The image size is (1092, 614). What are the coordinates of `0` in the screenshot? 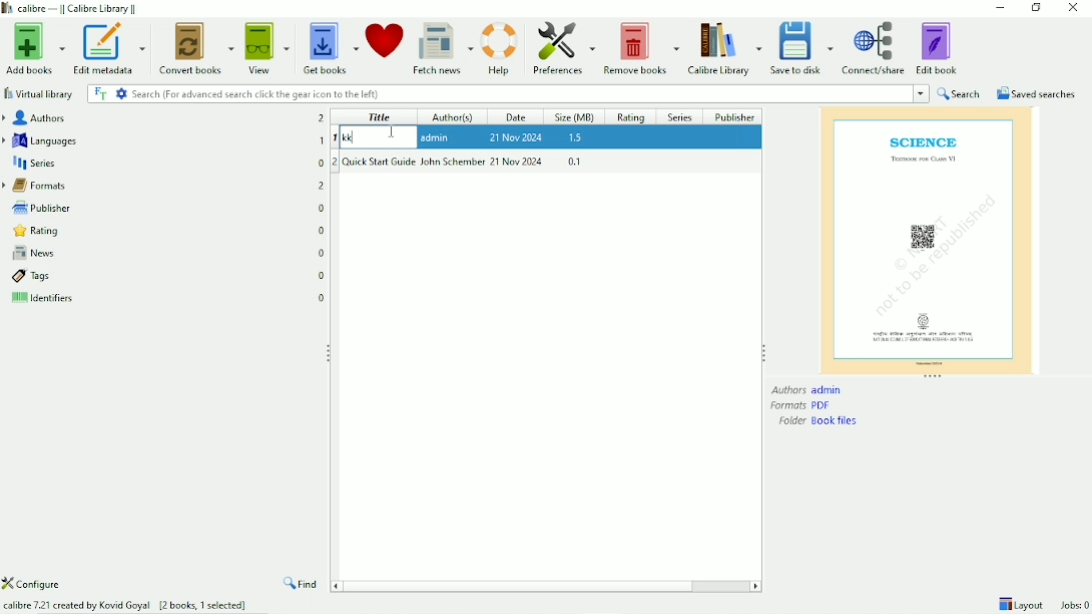 It's located at (322, 232).